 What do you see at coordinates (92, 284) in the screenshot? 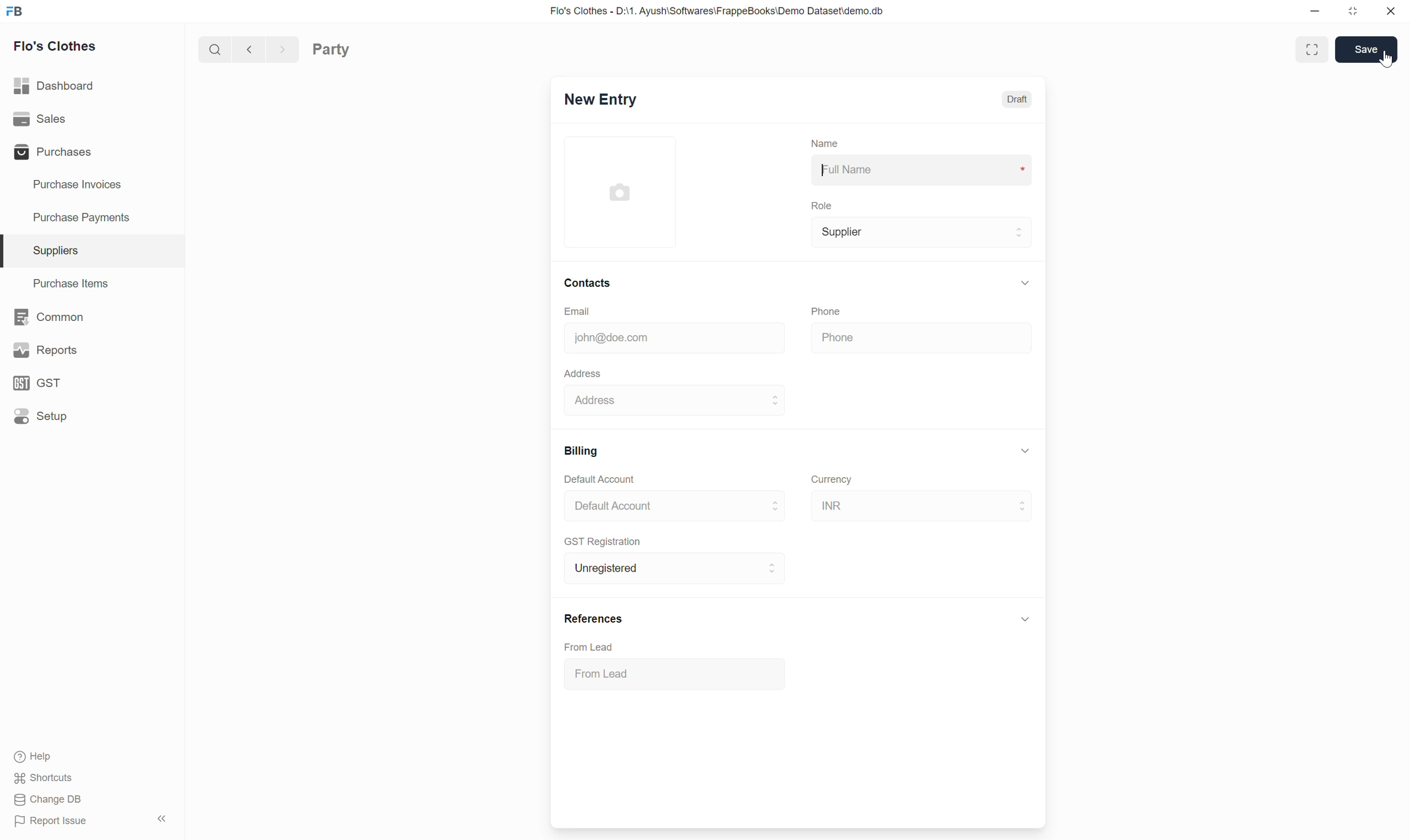
I see `Purchase Items` at bounding box center [92, 284].